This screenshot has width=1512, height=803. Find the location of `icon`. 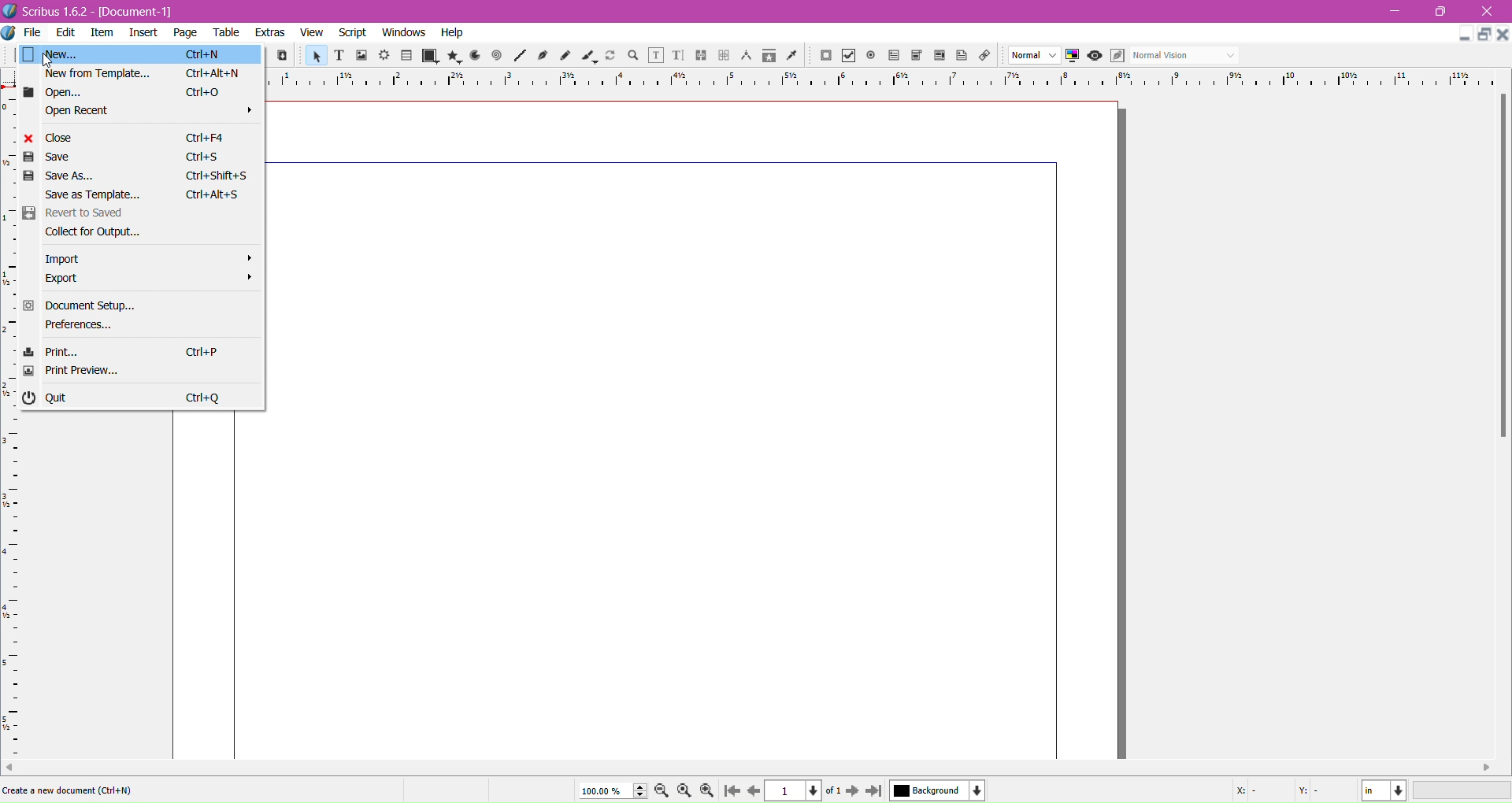

icon is located at coordinates (653, 55).